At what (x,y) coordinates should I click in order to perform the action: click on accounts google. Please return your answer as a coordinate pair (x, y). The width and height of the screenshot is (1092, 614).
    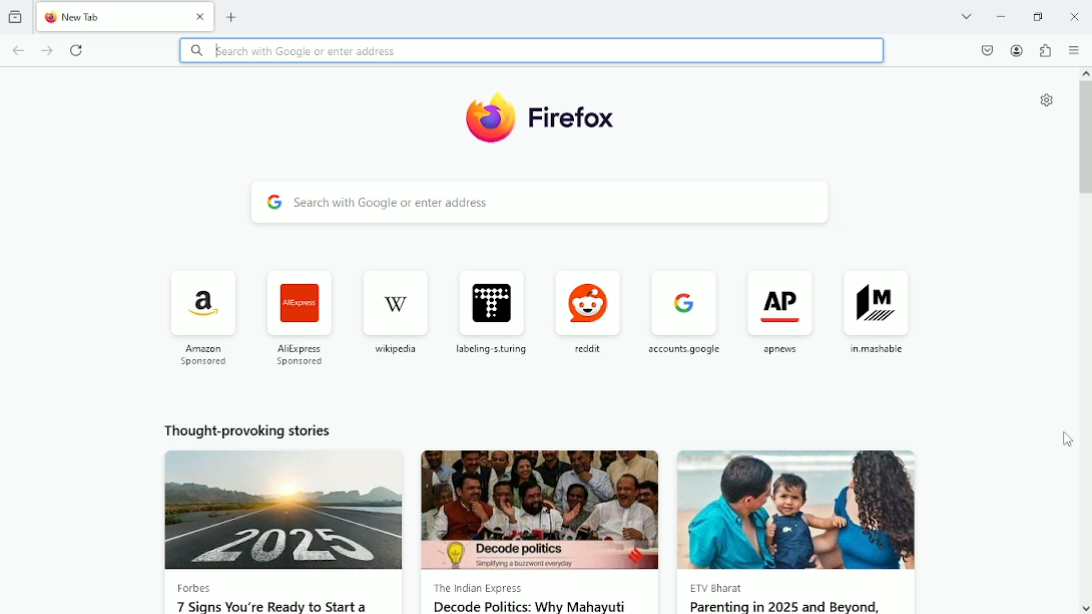
    Looking at the image, I should click on (683, 323).